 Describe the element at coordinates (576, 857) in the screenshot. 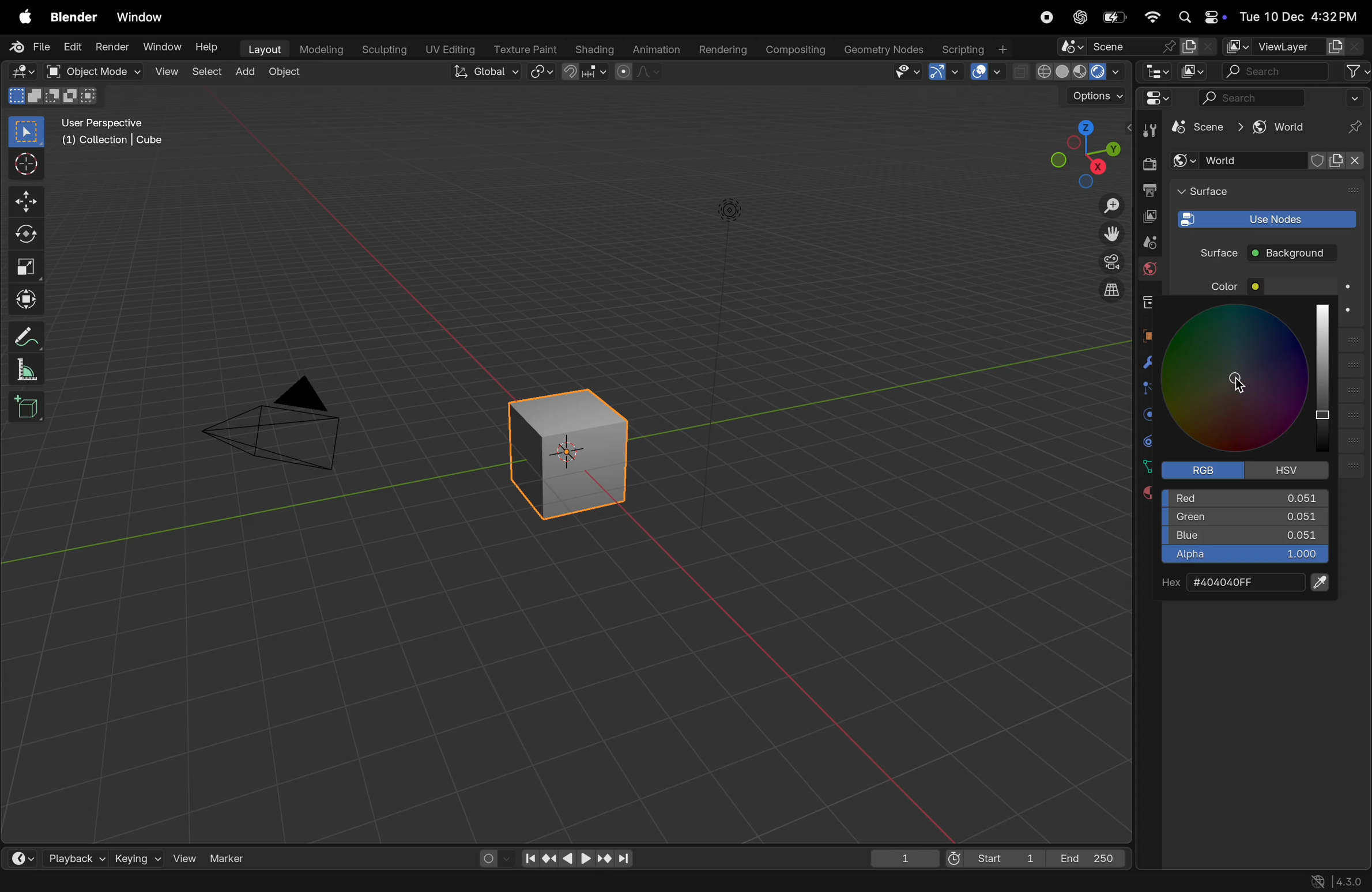

I see `playback controls` at that location.